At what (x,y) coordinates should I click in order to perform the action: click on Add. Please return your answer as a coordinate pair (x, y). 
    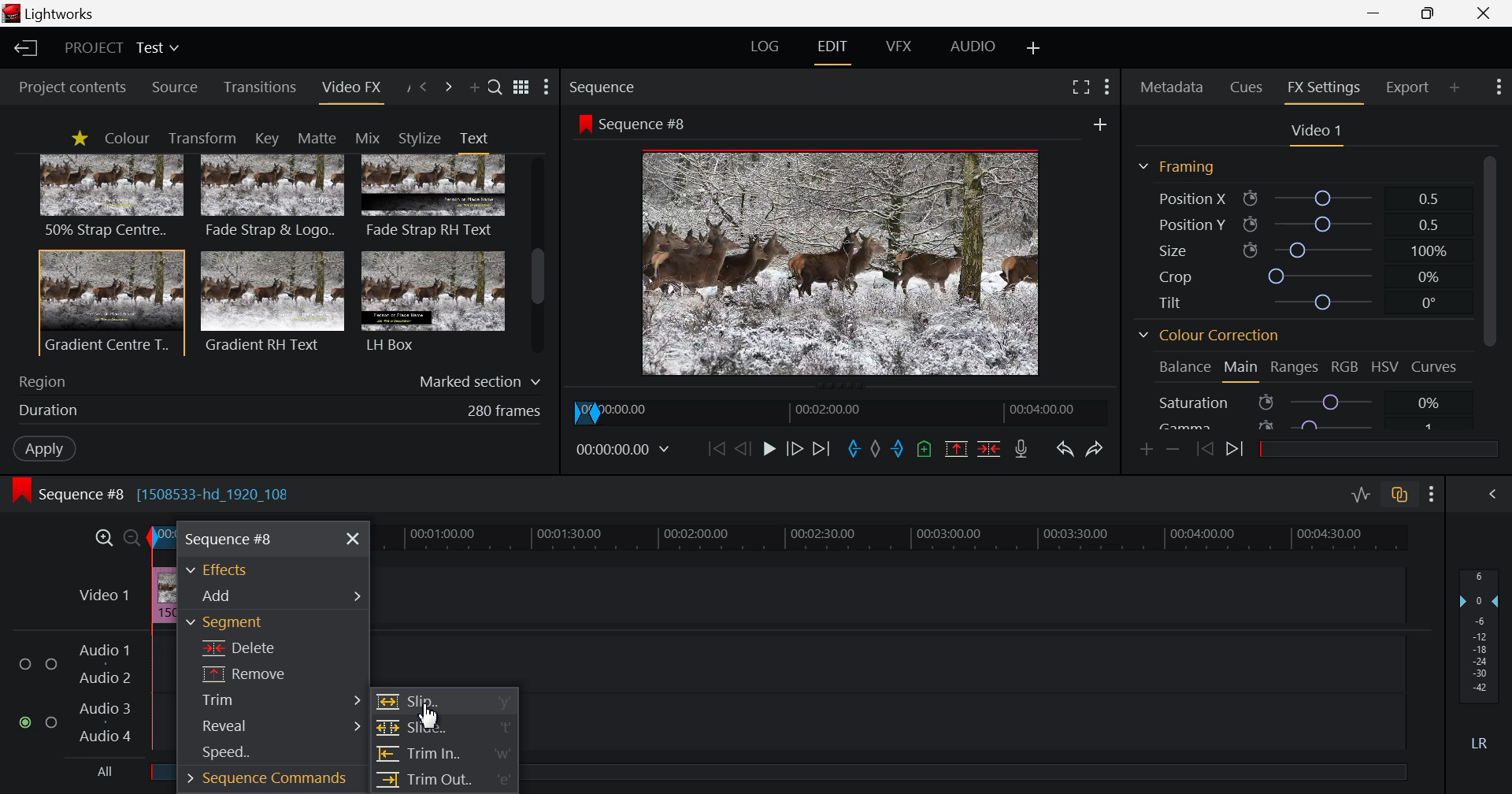
    Looking at the image, I should click on (273, 595).